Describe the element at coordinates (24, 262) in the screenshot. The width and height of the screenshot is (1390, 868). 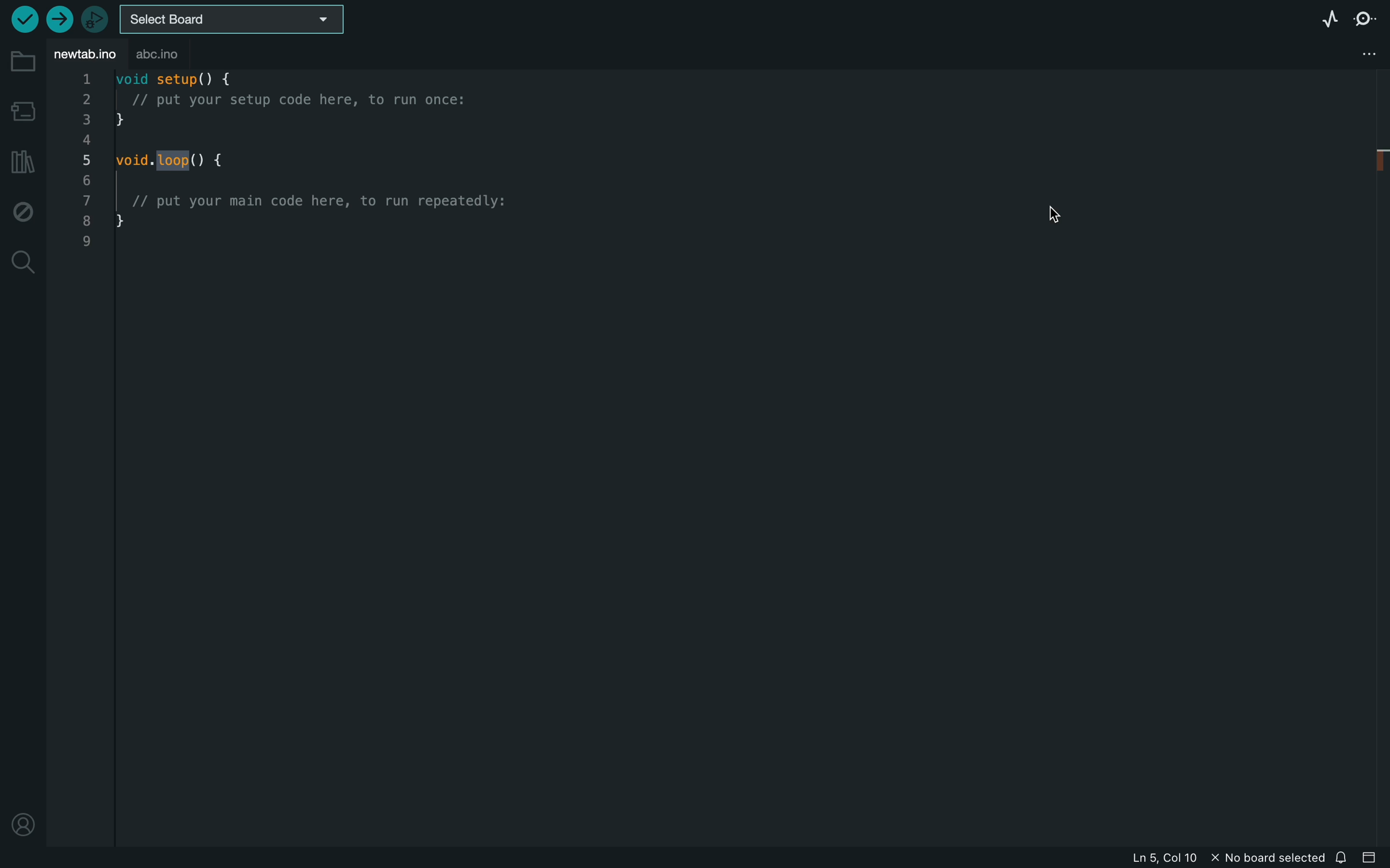
I see `search` at that location.